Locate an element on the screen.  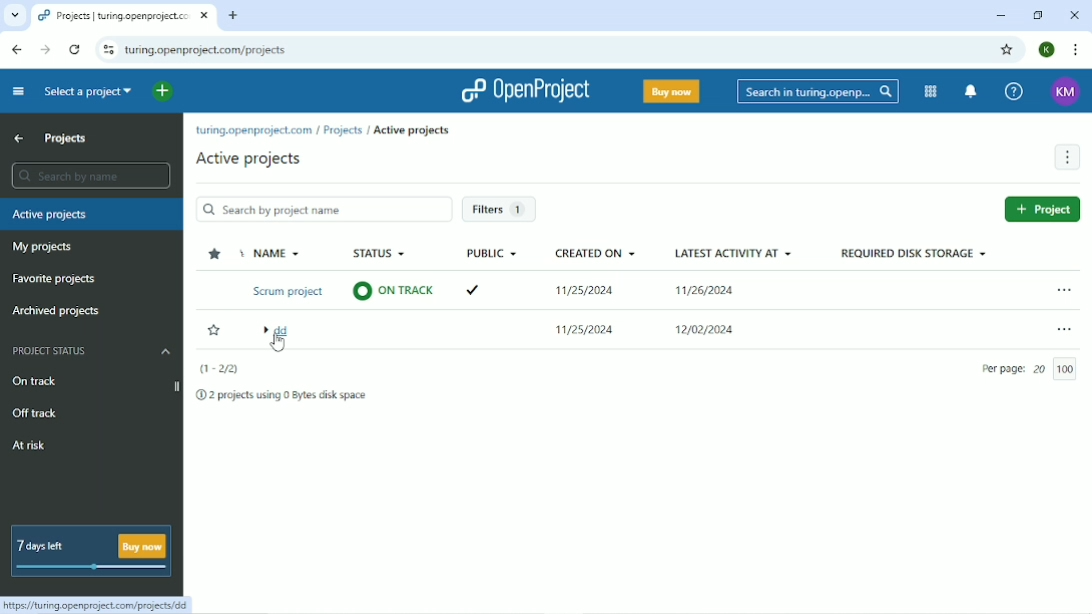
Account is located at coordinates (1065, 91).